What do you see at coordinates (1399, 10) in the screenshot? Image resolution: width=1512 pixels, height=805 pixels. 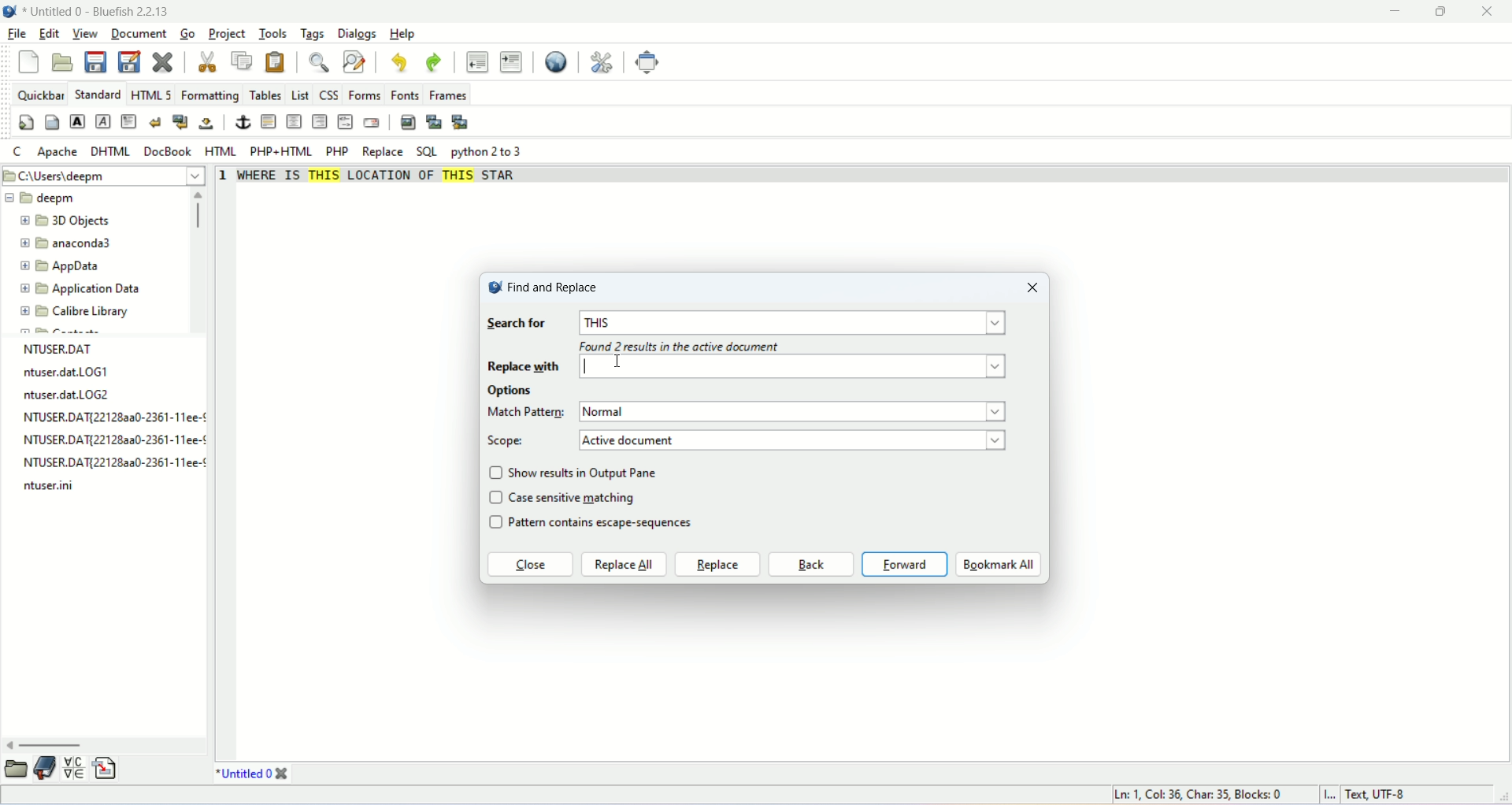 I see `minimize` at bounding box center [1399, 10].